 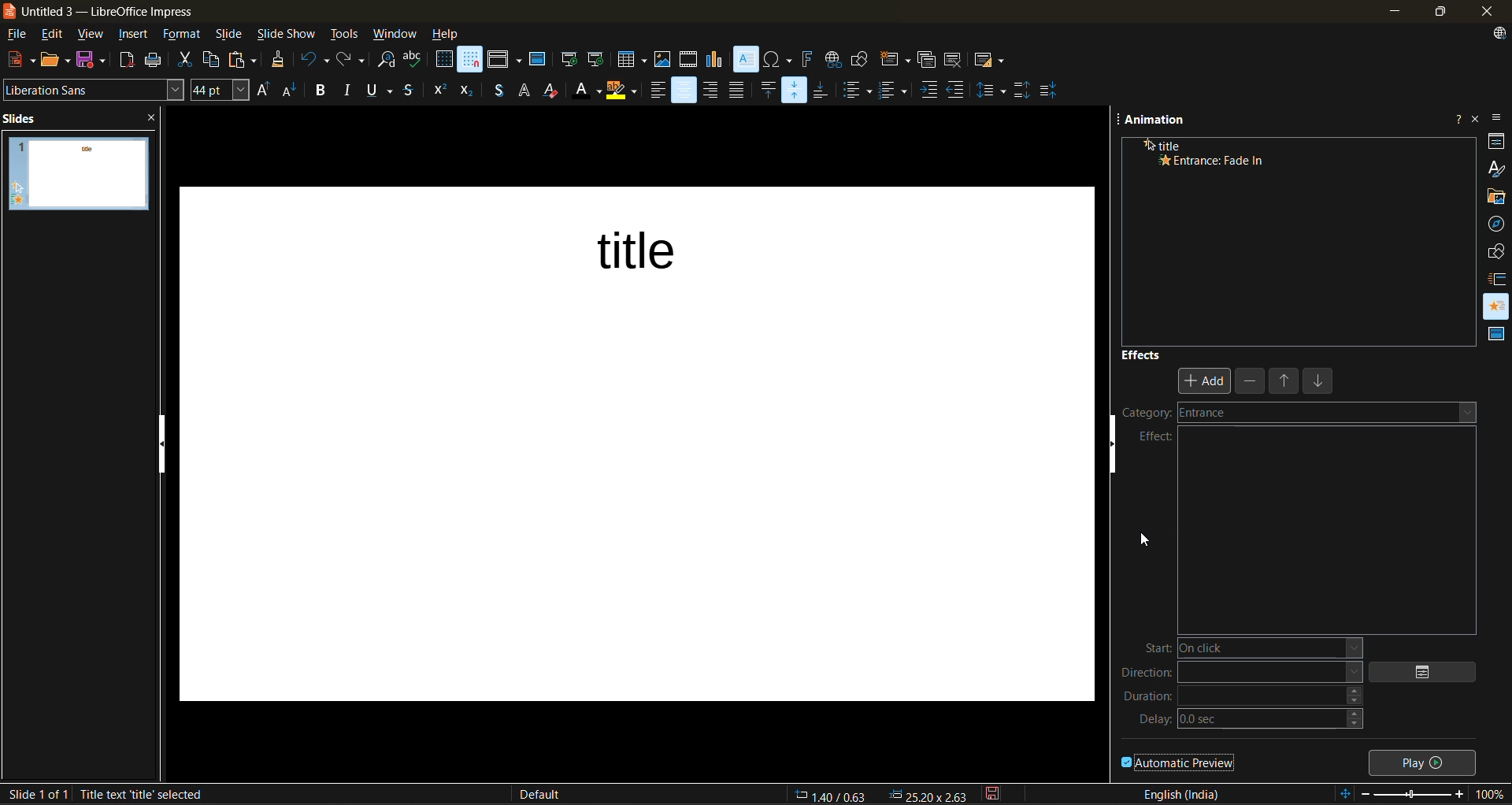 I want to click on superscript, so click(x=439, y=88).